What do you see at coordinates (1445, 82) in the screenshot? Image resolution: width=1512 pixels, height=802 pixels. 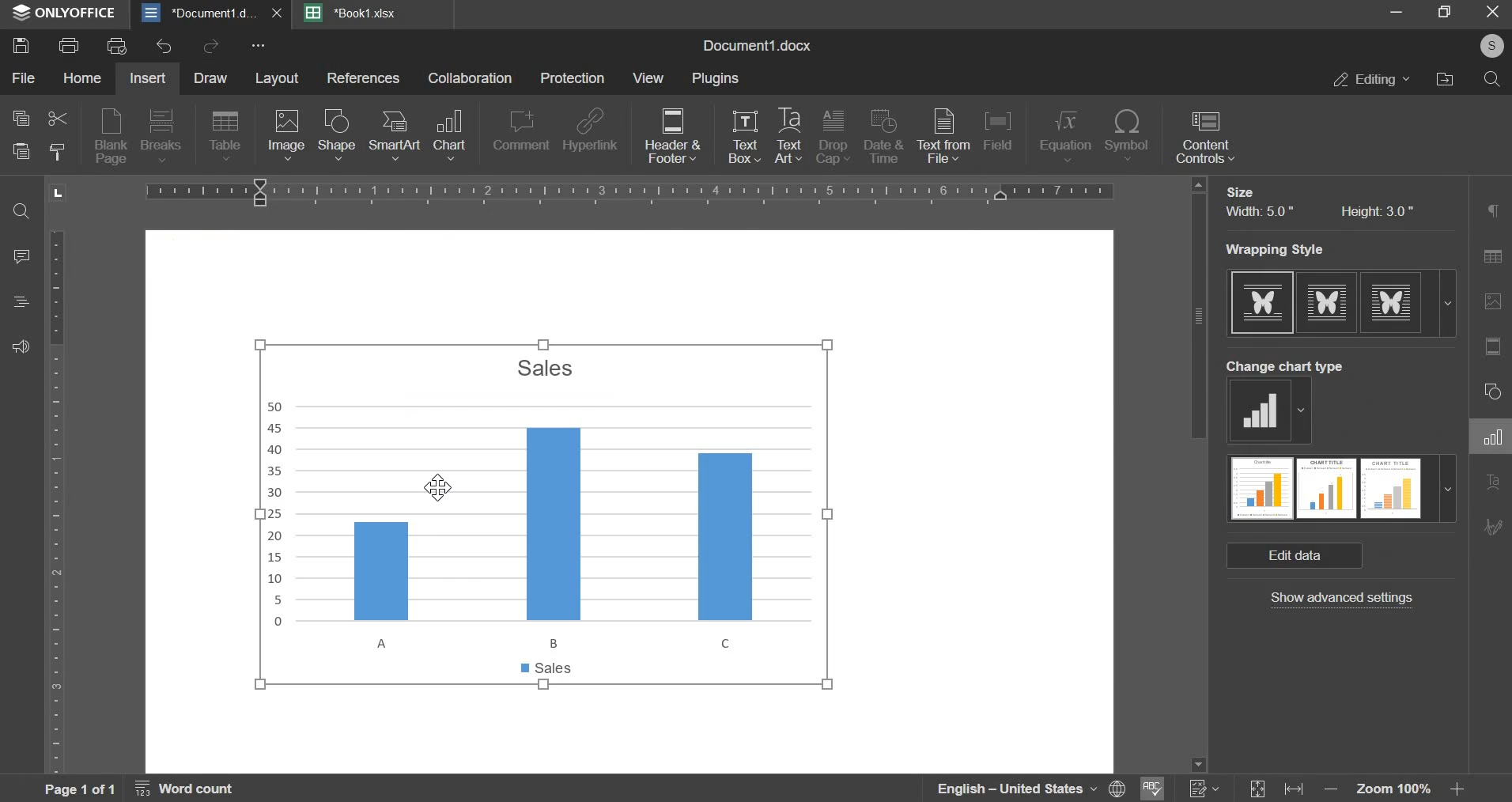 I see `file location` at bounding box center [1445, 82].